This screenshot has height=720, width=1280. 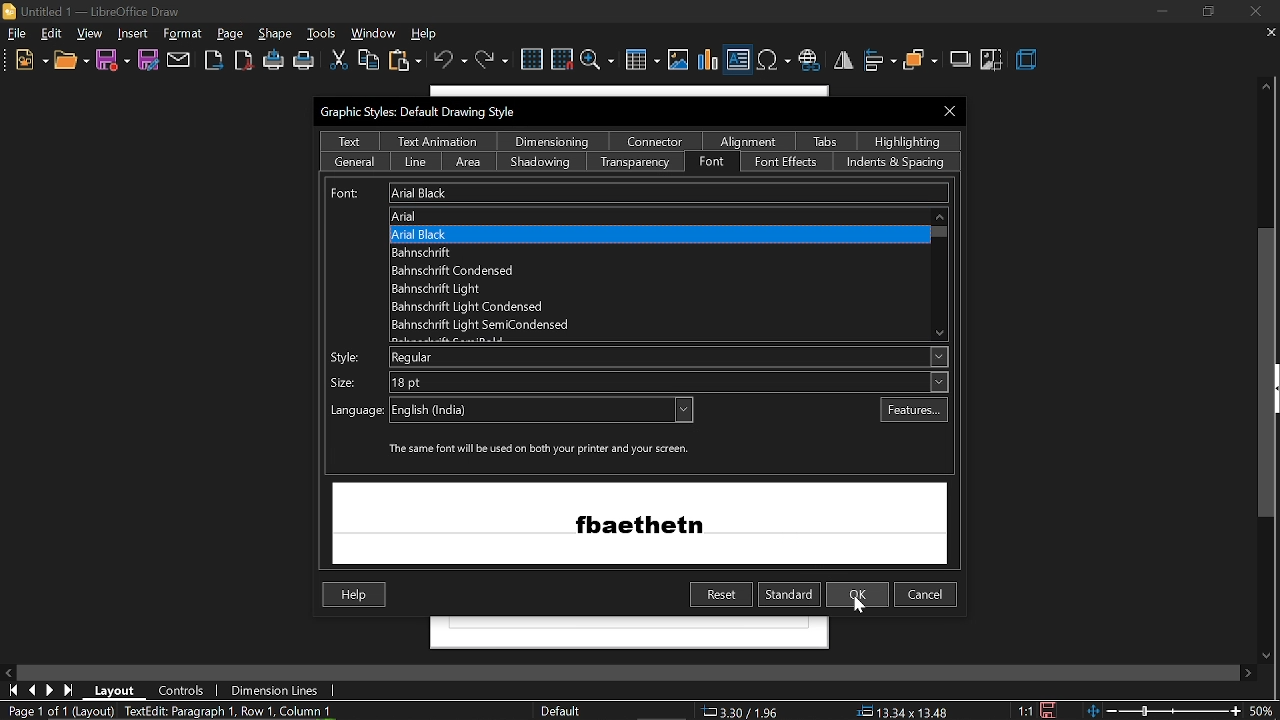 What do you see at coordinates (1267, 88) in the screenshot?
I see `move up` at bounding box center [1267, 88].